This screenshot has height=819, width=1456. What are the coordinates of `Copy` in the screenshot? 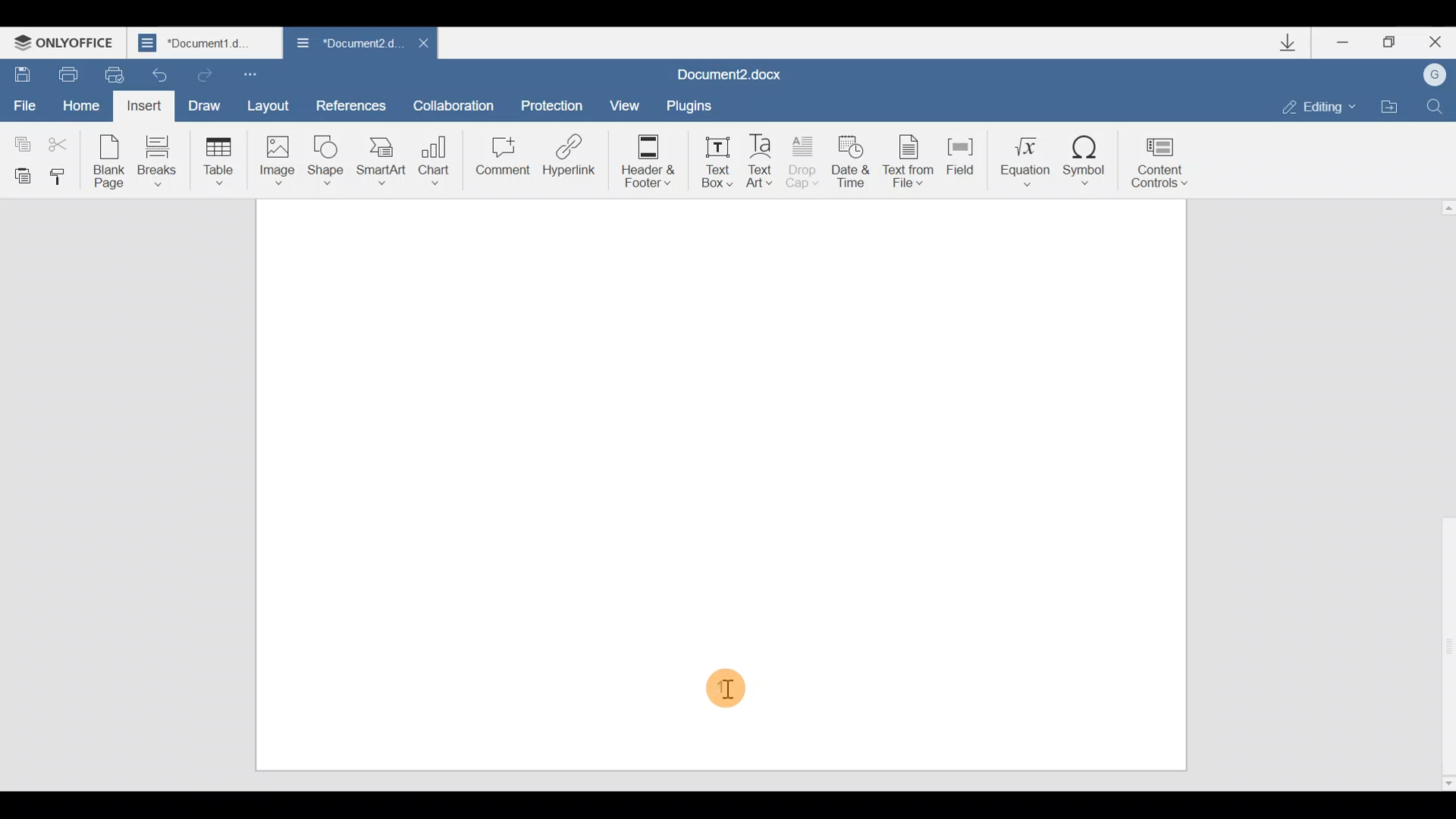 It's located at (19, 140).